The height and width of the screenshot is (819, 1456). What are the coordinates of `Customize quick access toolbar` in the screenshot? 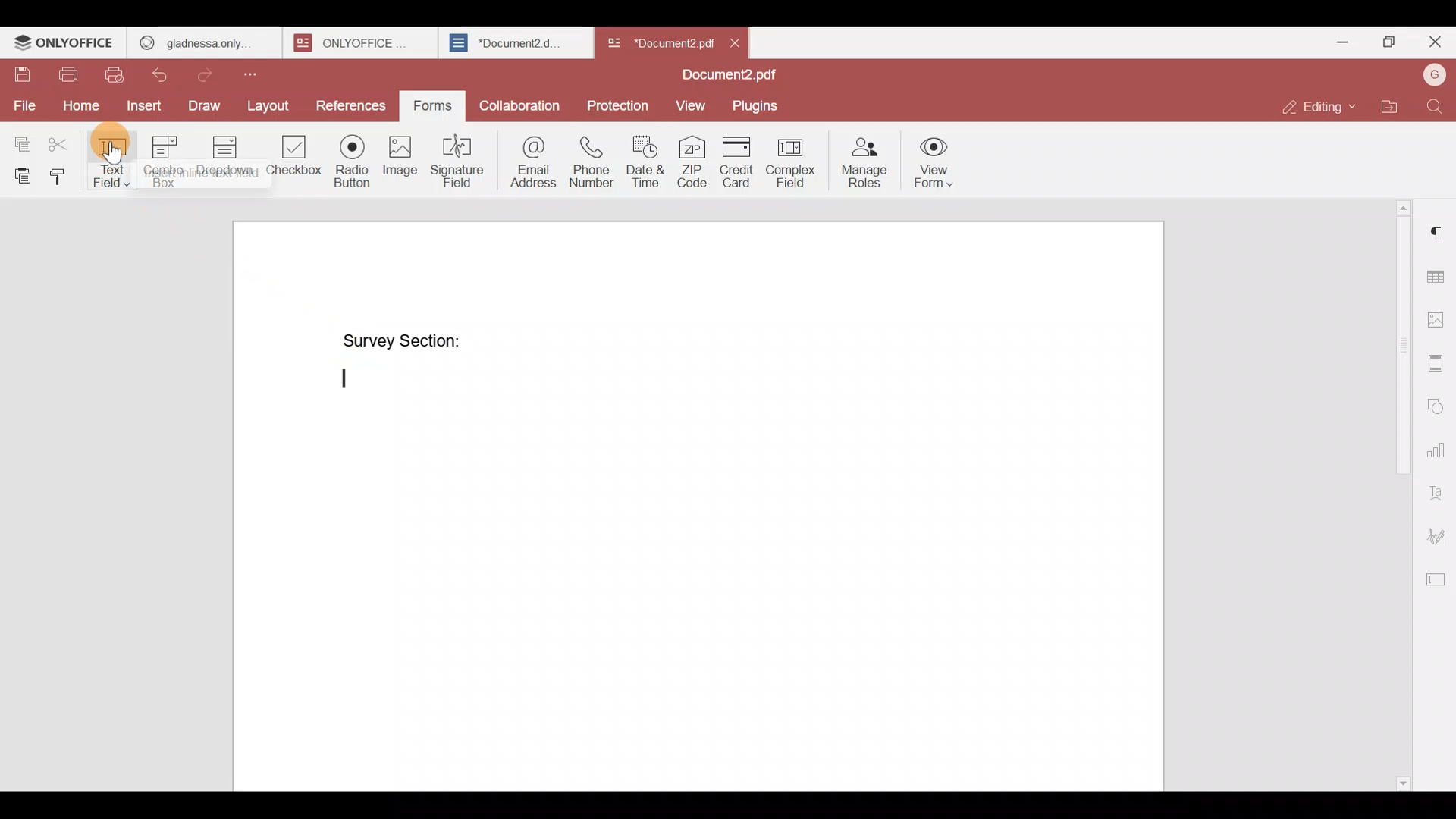 It's located at (265, 73).